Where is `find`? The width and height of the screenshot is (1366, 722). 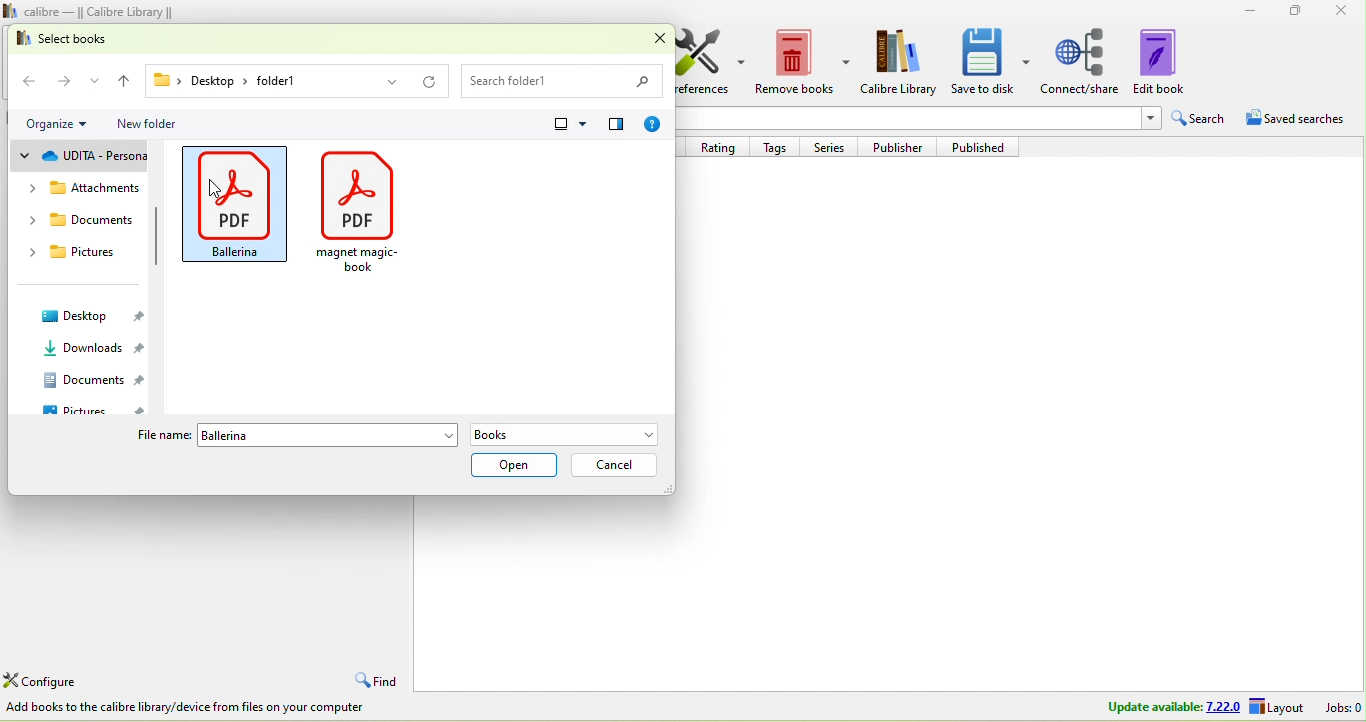 find is located at coordinates (380, 680).